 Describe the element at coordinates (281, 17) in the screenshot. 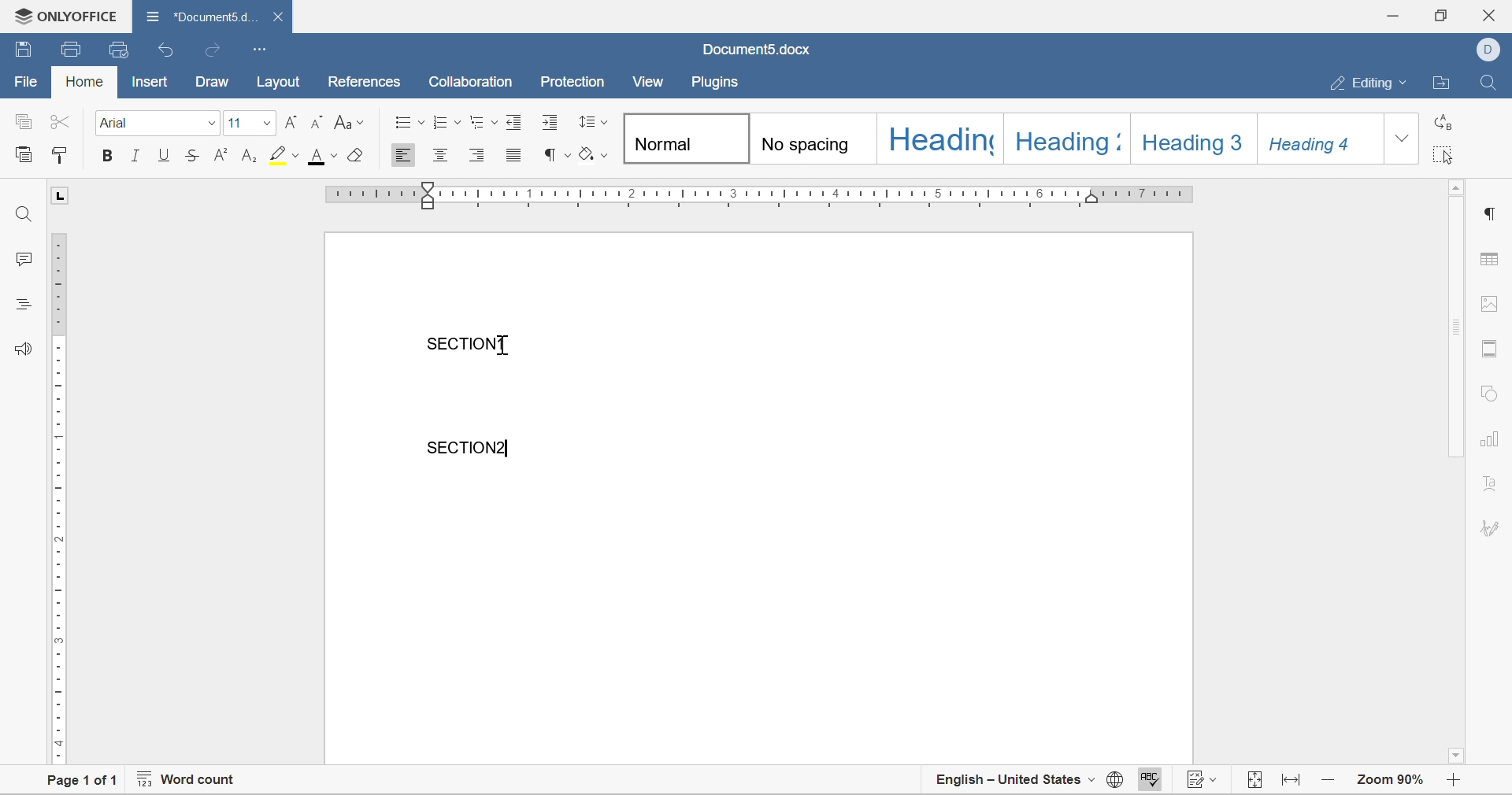

I see `close` at that location.